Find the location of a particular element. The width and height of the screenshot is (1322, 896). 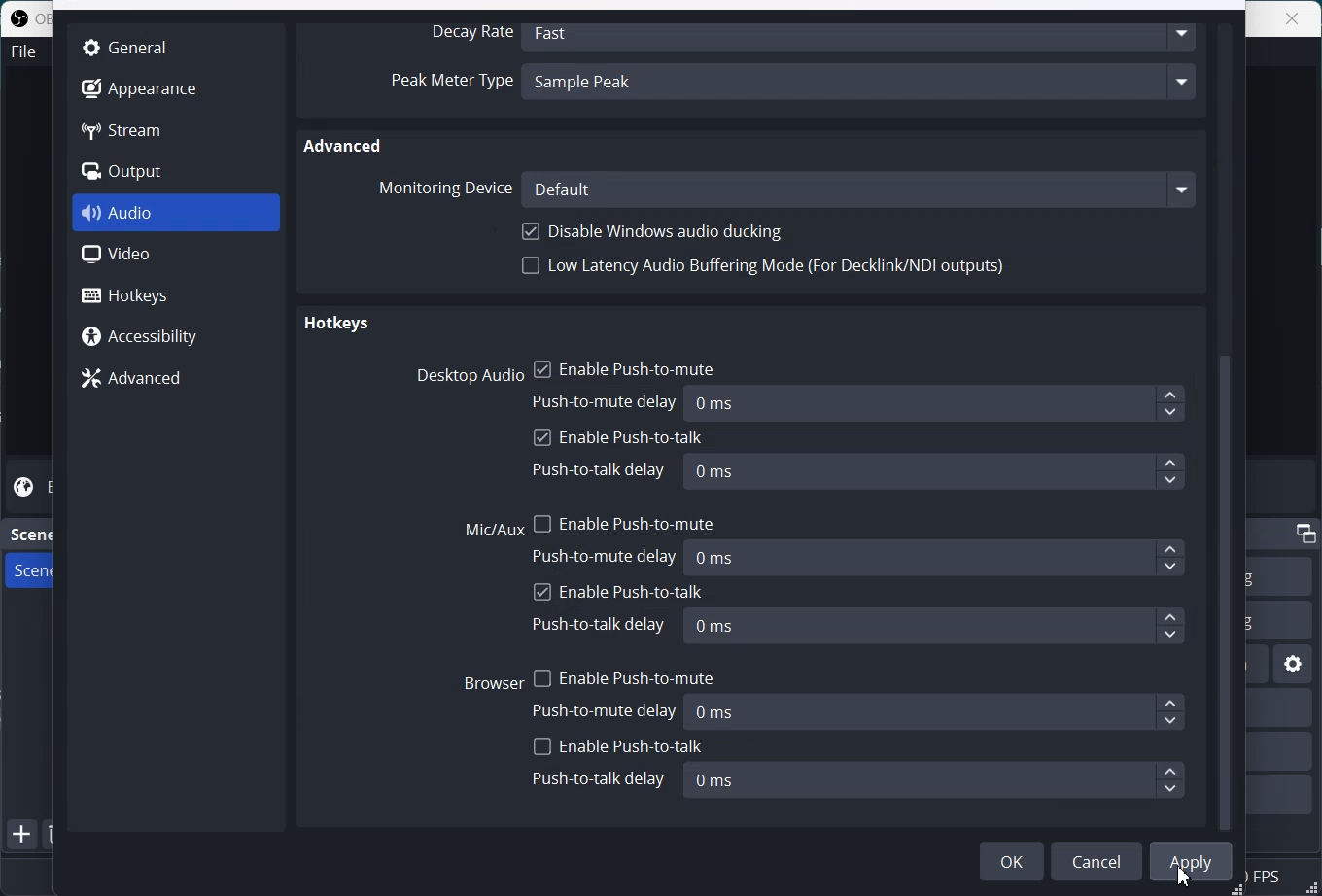

Advanced is located at coordinates (175, 377).